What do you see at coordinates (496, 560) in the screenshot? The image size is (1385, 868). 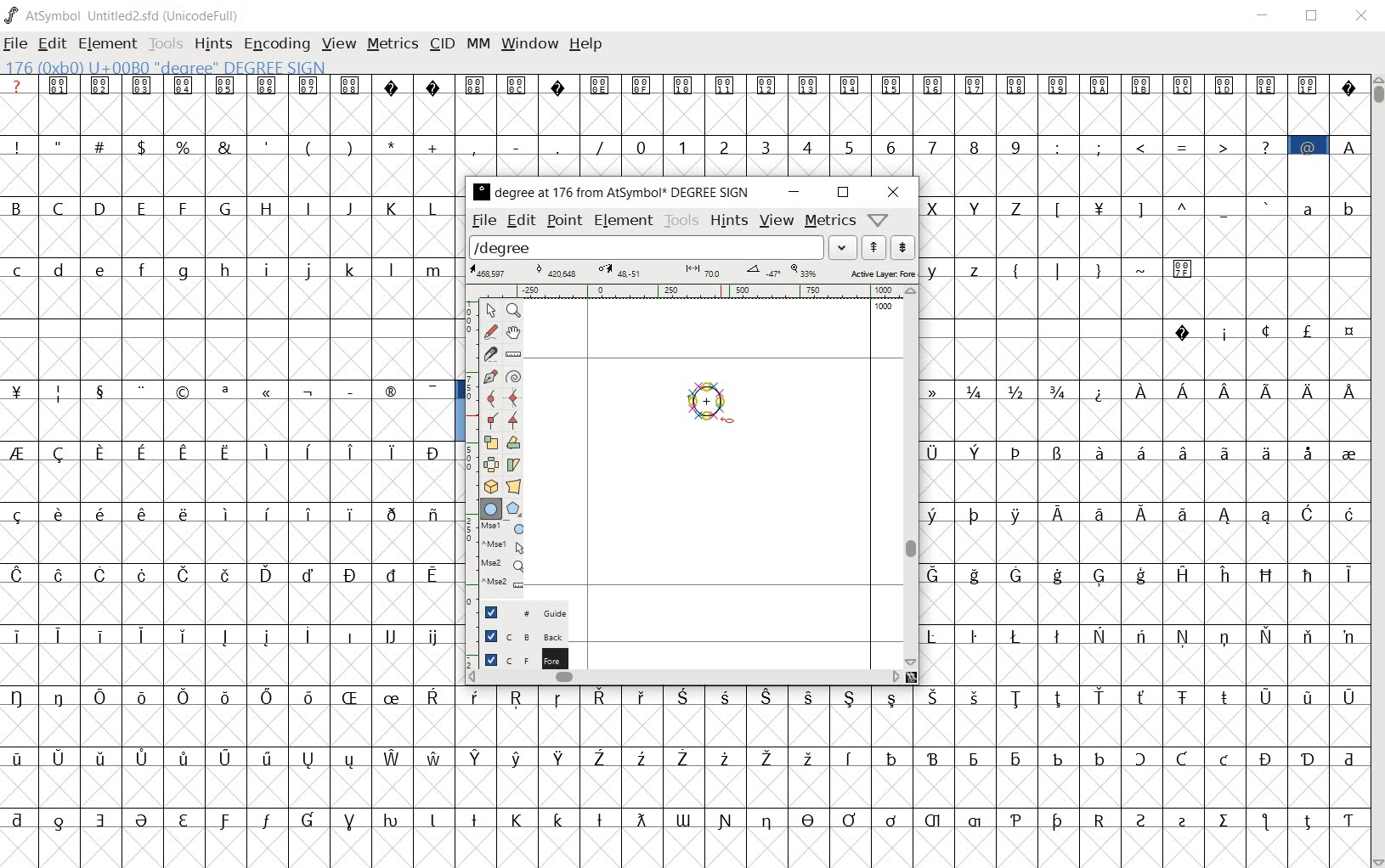 I see `mse1 mse1 mse2 mse2` at bounding box center [496, 560].